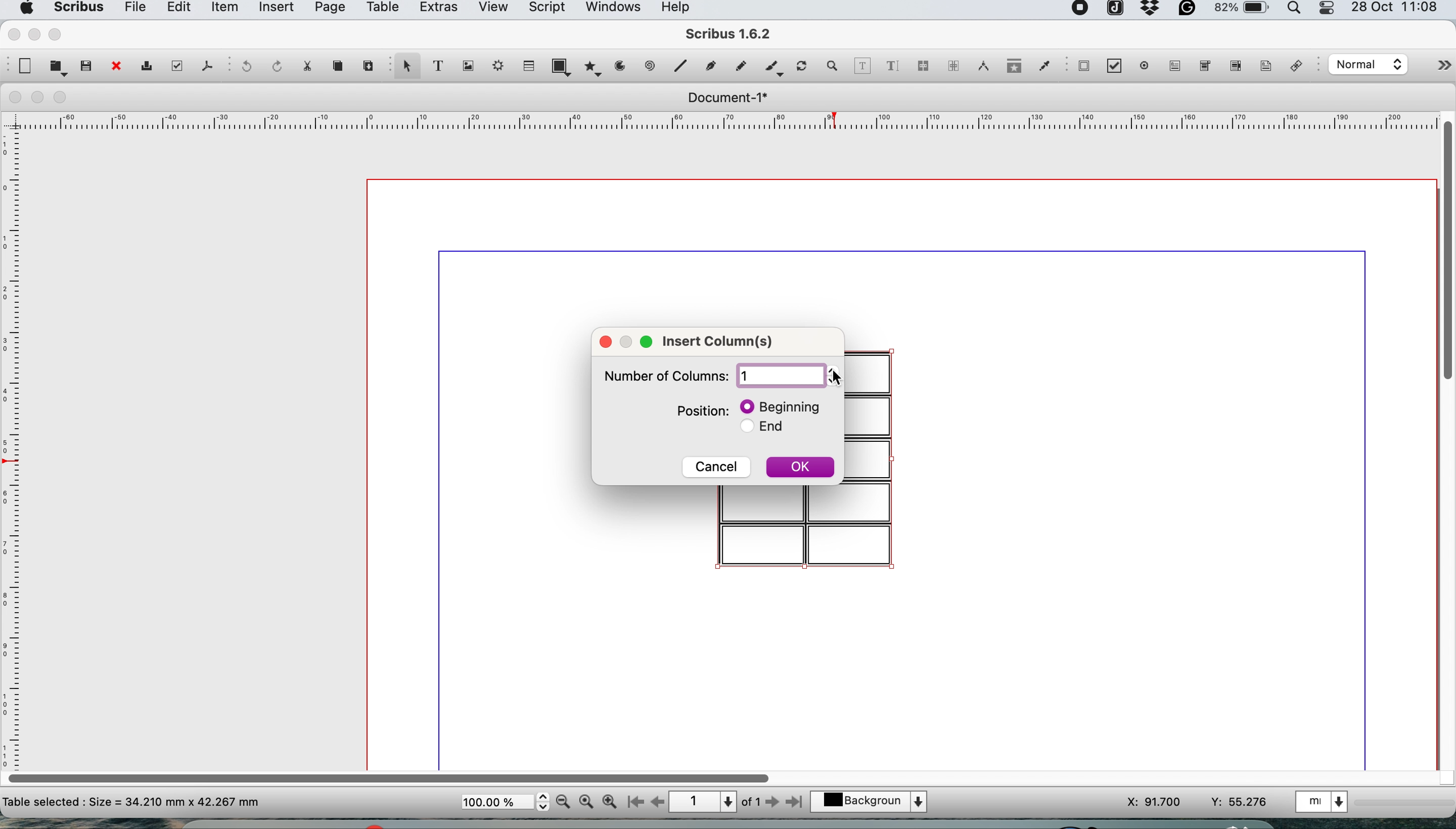 The height and width of the screenshot is (829, 1456). What do you see at coordinates (367, 64) in the screenshot?
I see `paste` at bounding box center [367, 64].